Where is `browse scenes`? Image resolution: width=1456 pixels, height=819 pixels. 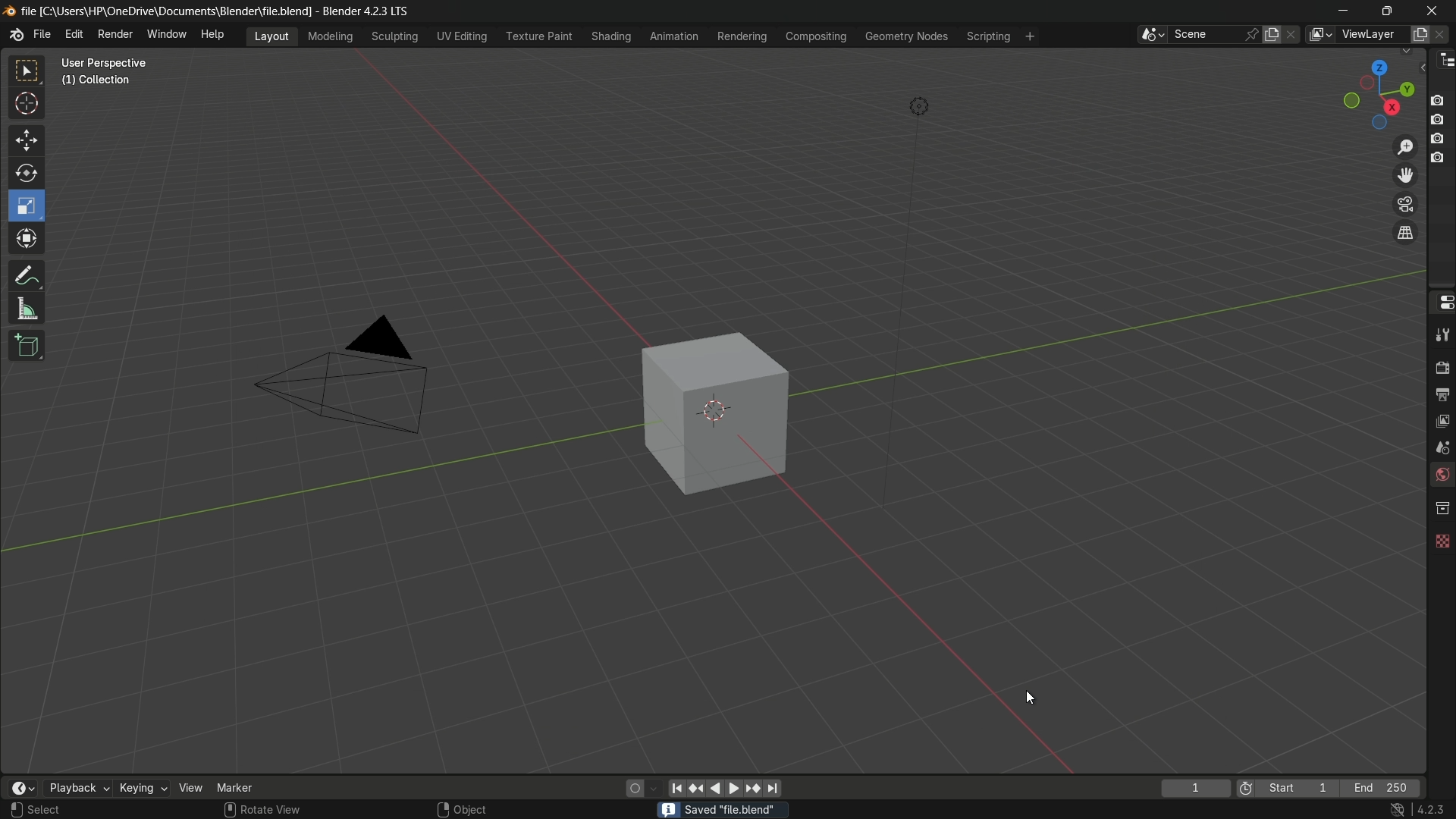 browse scenes is located at coordinates (1152, 35).